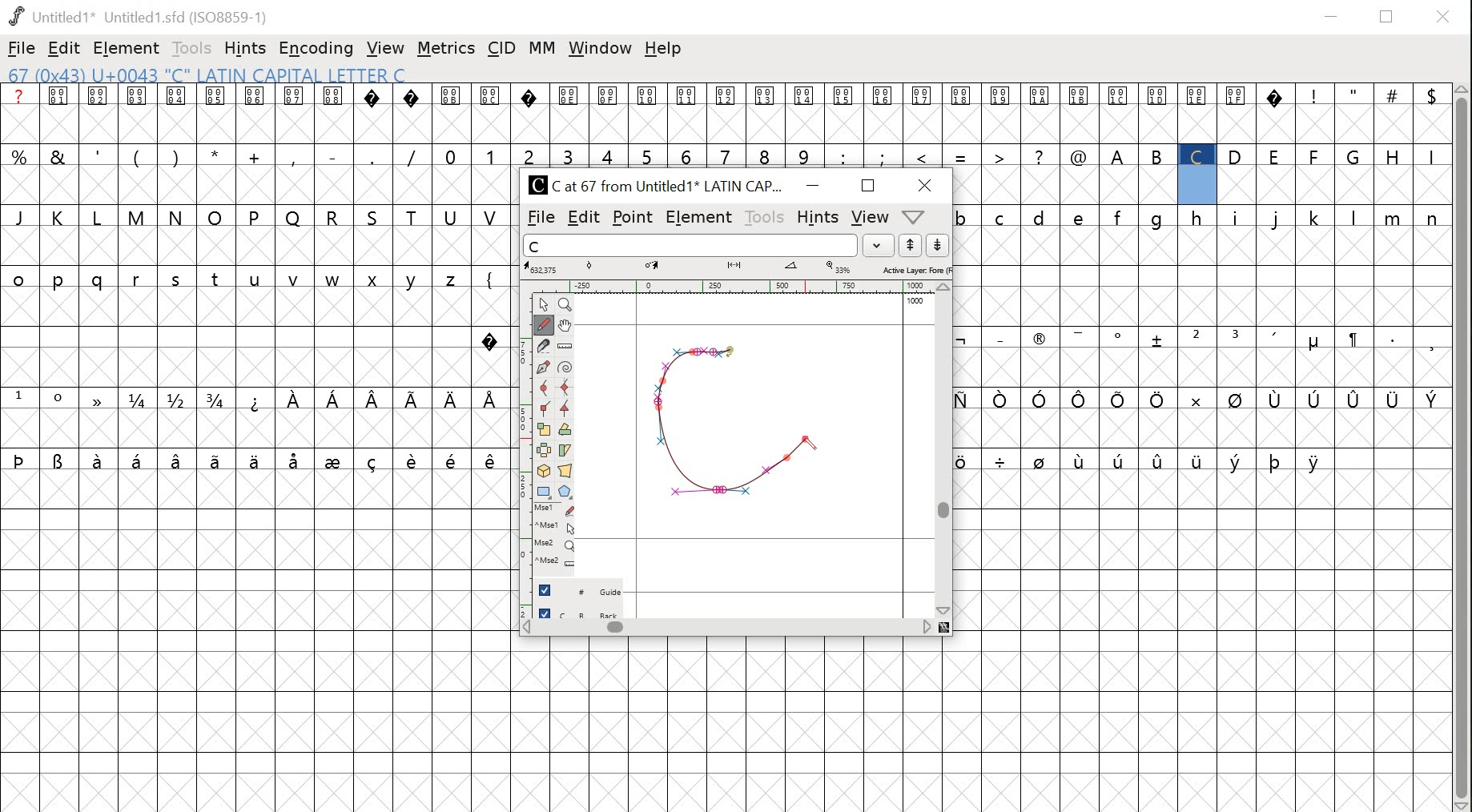 This screenshot has width=1472, height=812. I want to click on view, so click(868, 215).